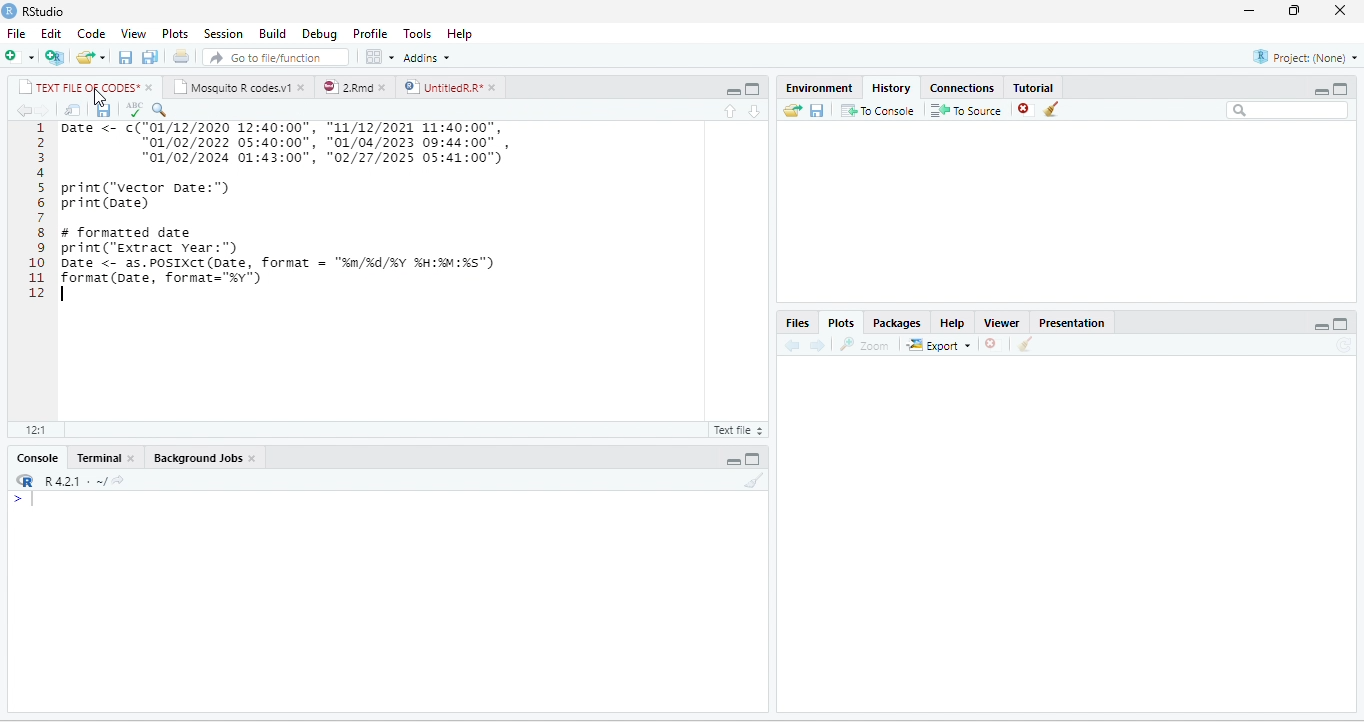 The image size is (1364, 722). Describe the element at coordinates (276, 57) in the screenshot. I see `search file` at that location.